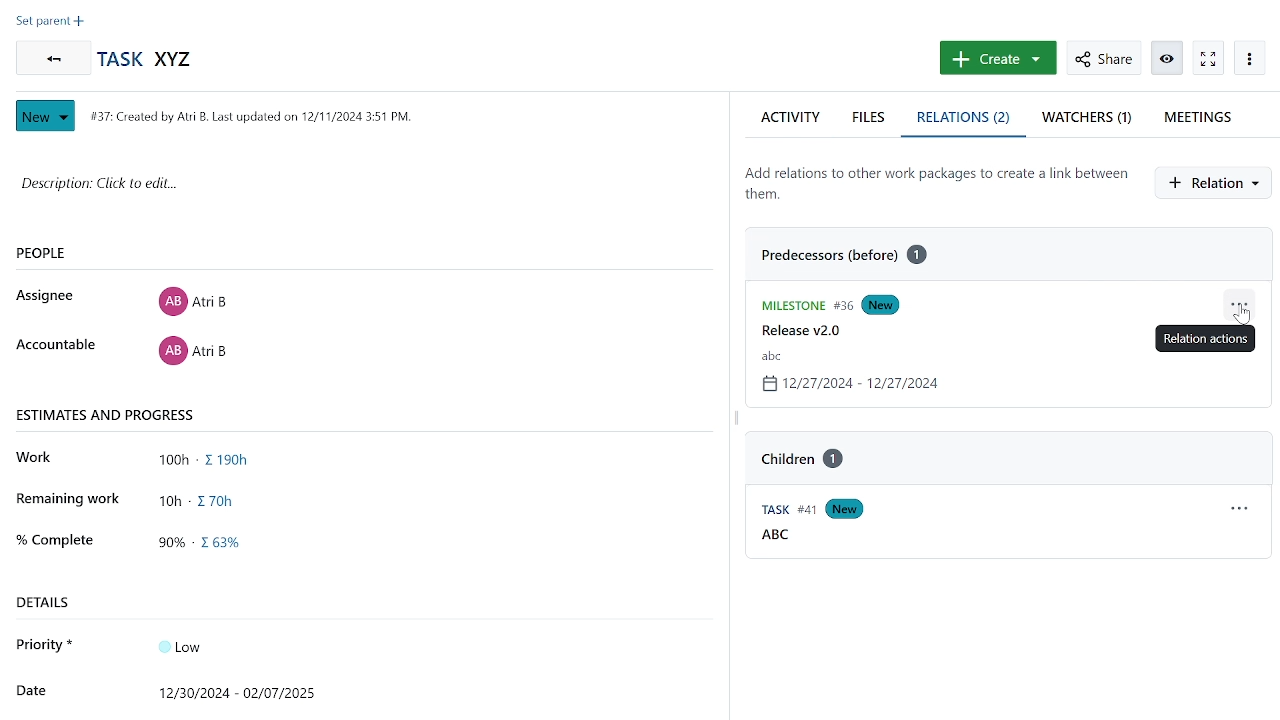 The image size is (1280, 720). Describe the element at coordinates (210, 461) in the screenshot. I see `total work` at that location.